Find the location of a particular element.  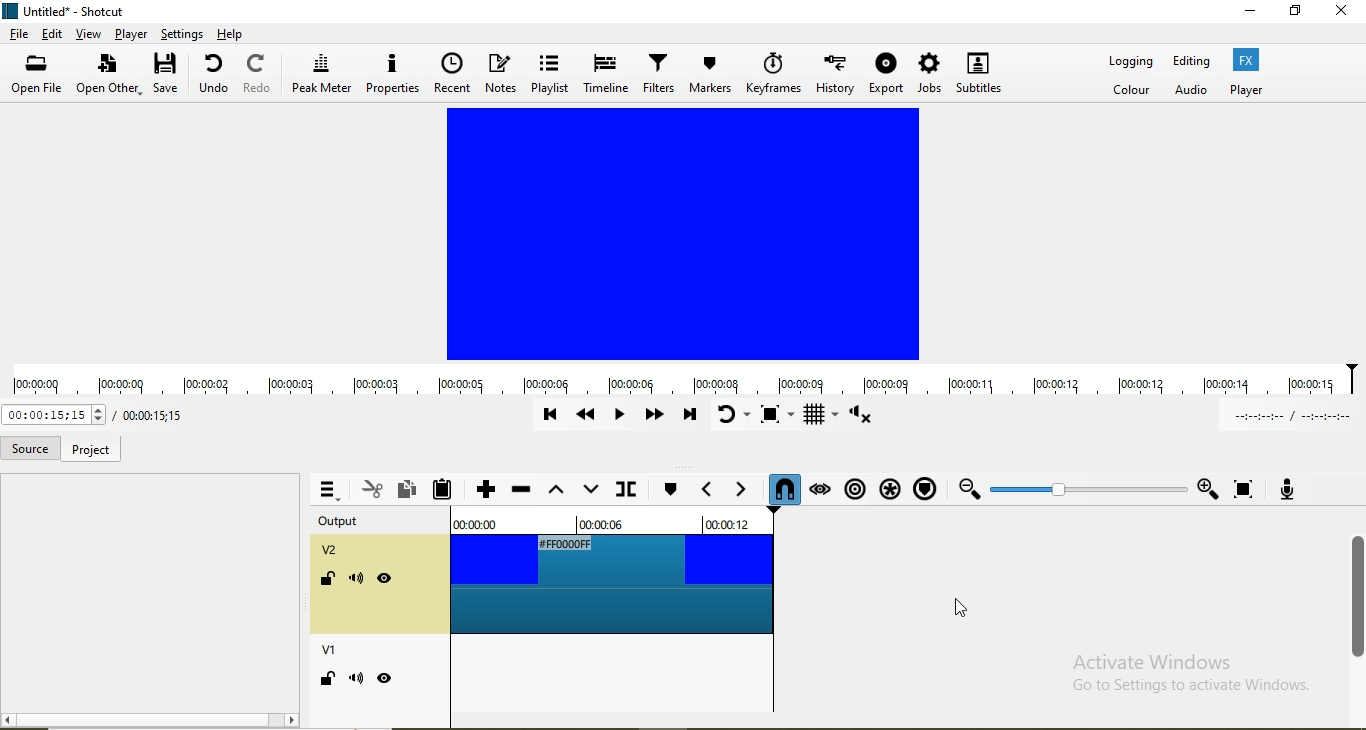

Editing is located at coordinates (1191, 61).